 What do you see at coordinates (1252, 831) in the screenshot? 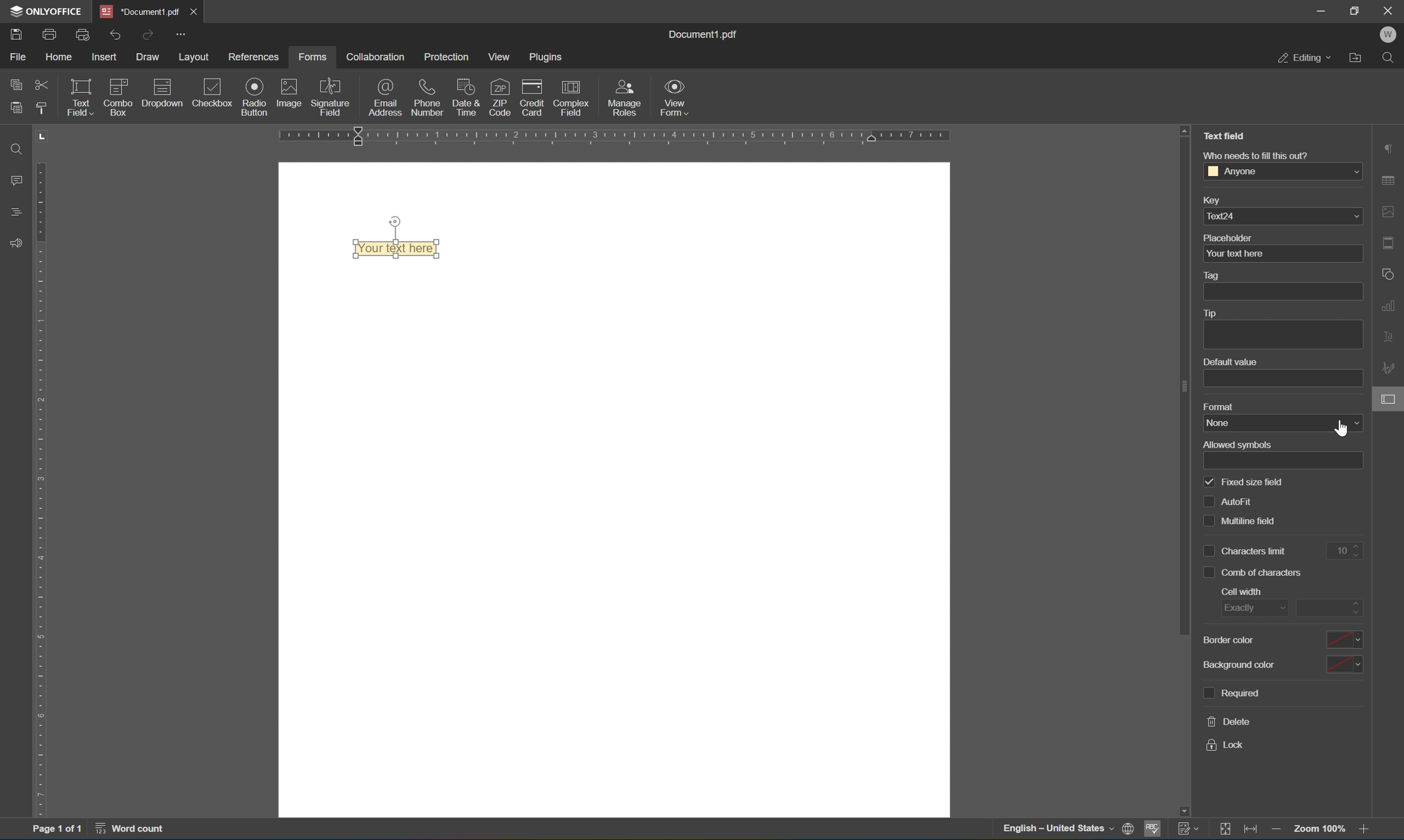
I see `fit to width` at bounding box center [1252, 831].